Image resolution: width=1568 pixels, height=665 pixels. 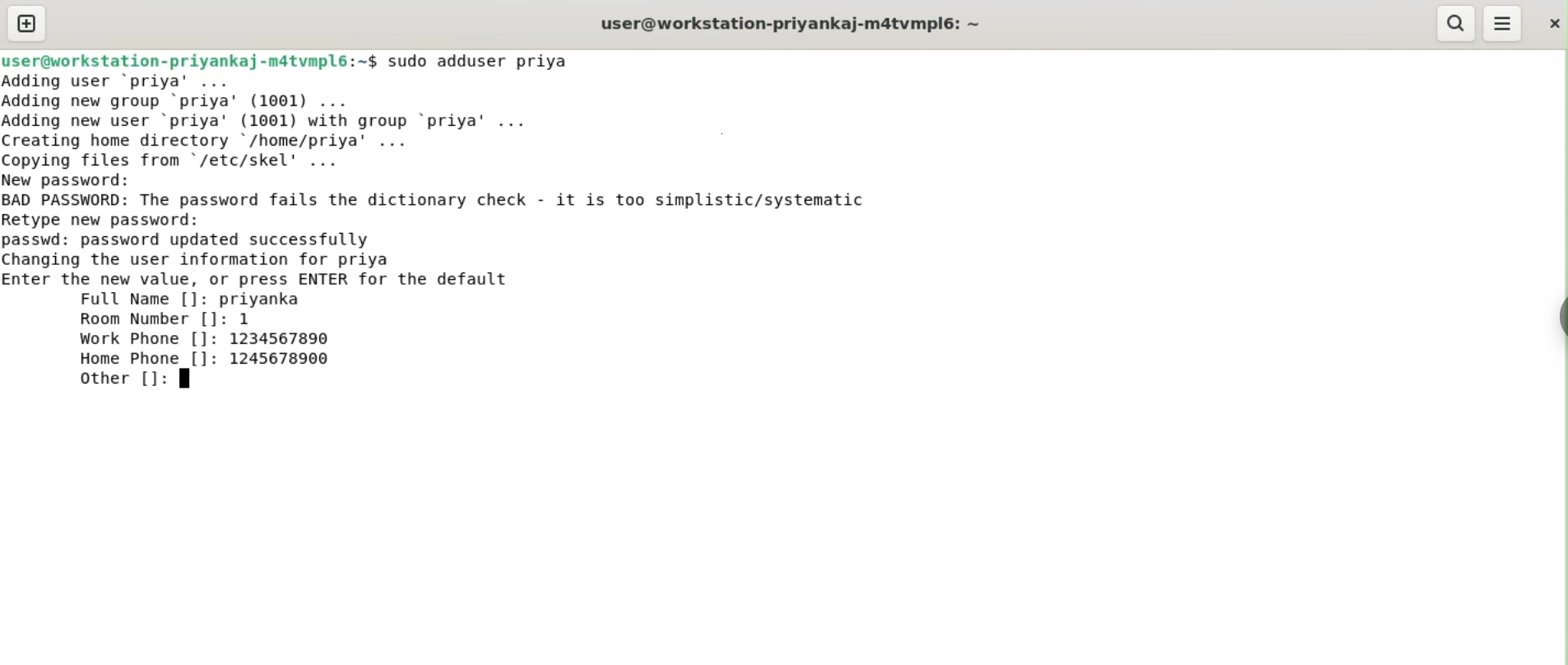 What do you see at coordinates (1503, 24) in the screenshot?
I see `menu` at bounding box center [1503, 24].